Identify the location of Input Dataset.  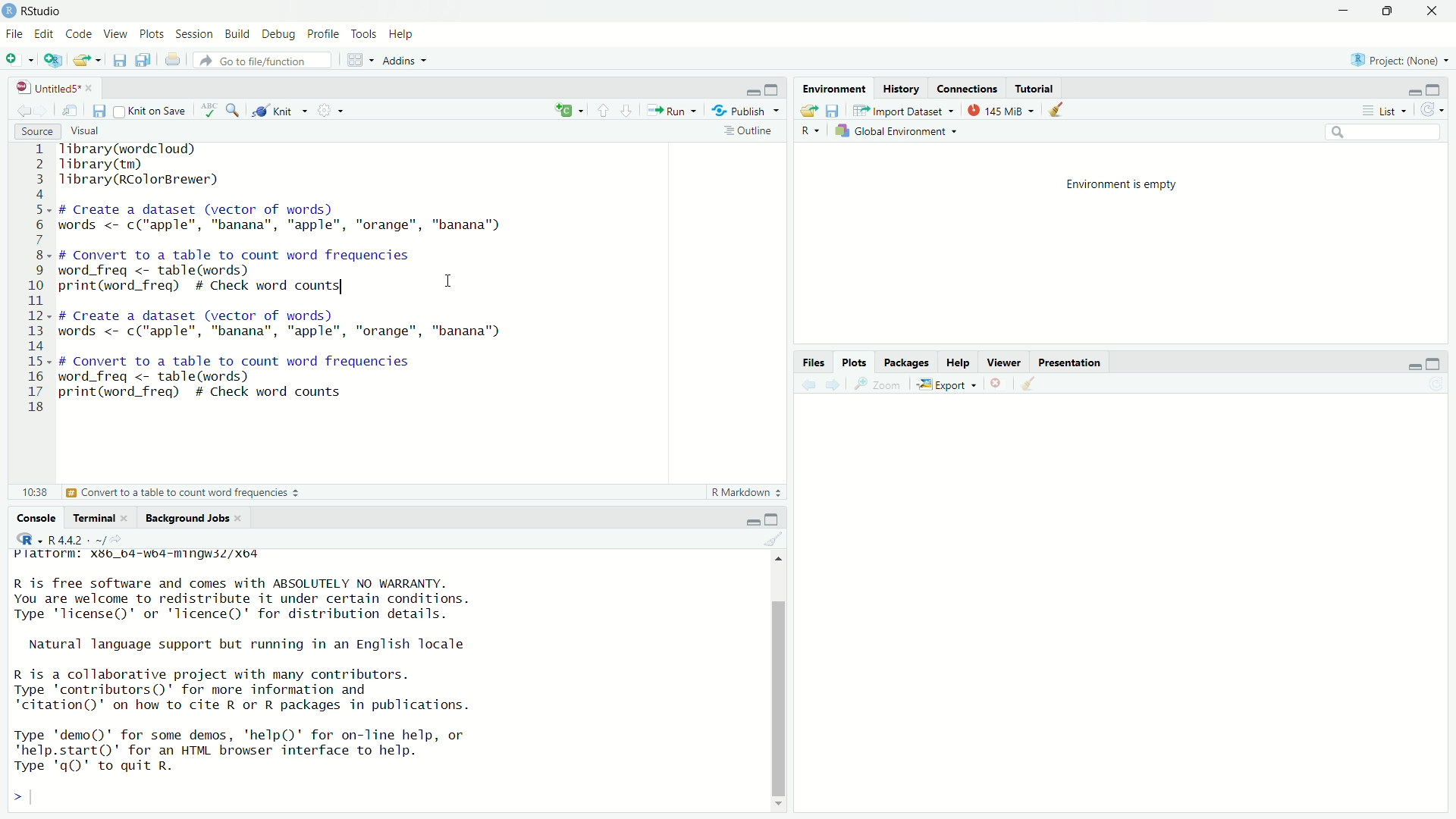
(905, 112).